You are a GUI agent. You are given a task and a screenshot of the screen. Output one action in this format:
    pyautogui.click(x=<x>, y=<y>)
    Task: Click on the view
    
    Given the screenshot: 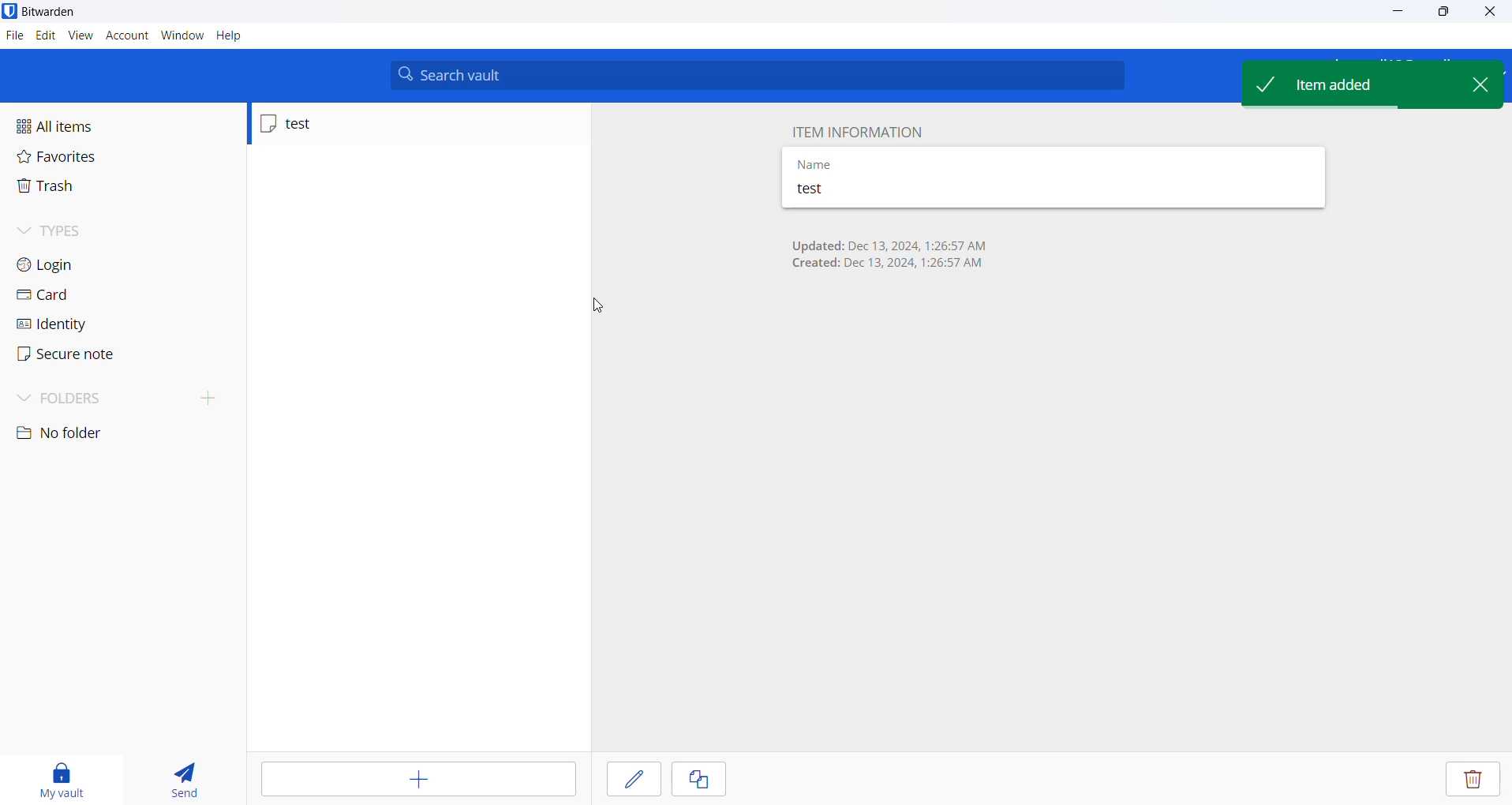 What is the action you would take?
    pyautogui.click(x=82, y=36)
    